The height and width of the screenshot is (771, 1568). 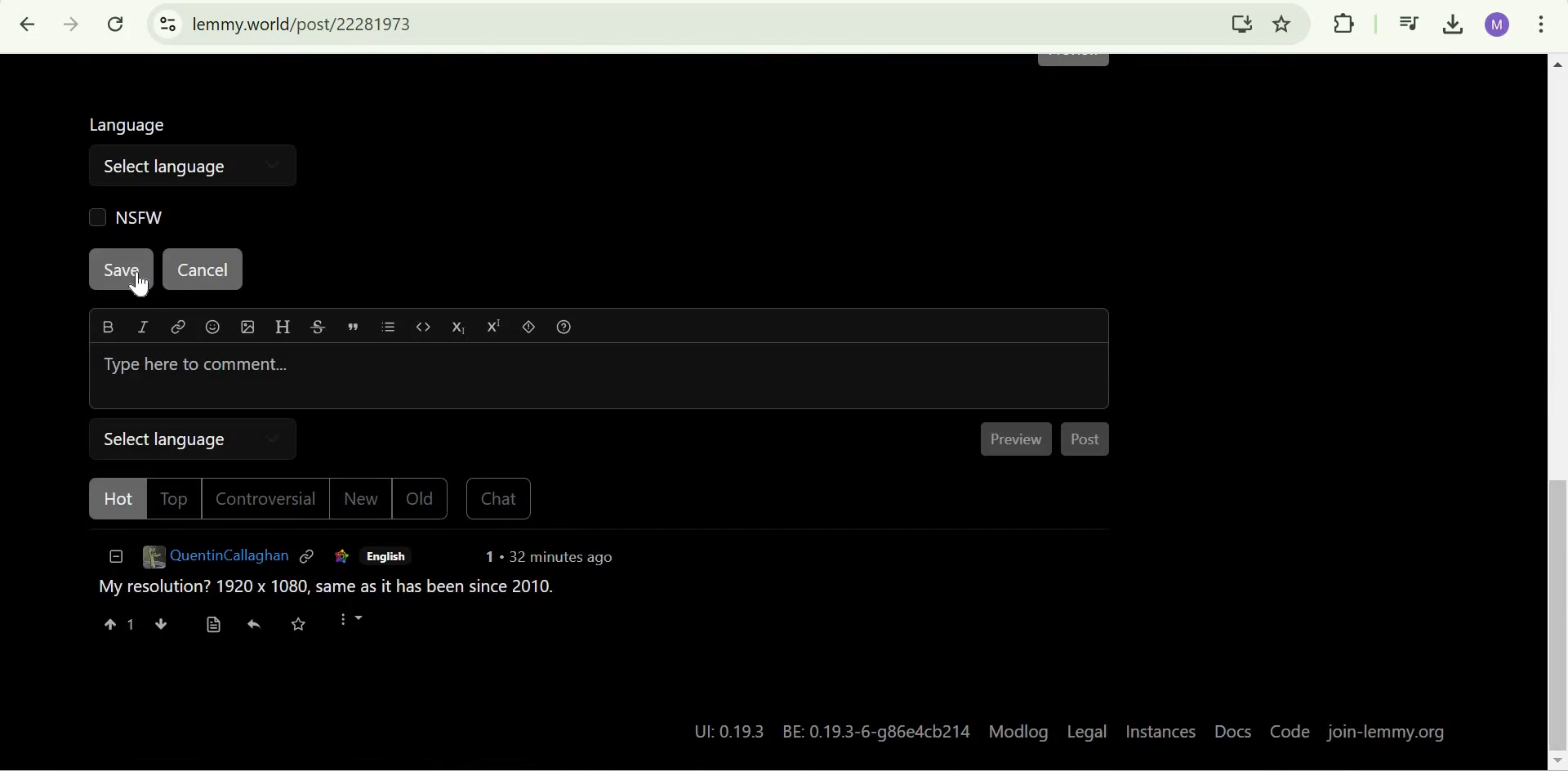 What do you see at coordinates (724, 731) in the screenshot?
I see `UI: 0.19.3` at bounding box center [724, 731].